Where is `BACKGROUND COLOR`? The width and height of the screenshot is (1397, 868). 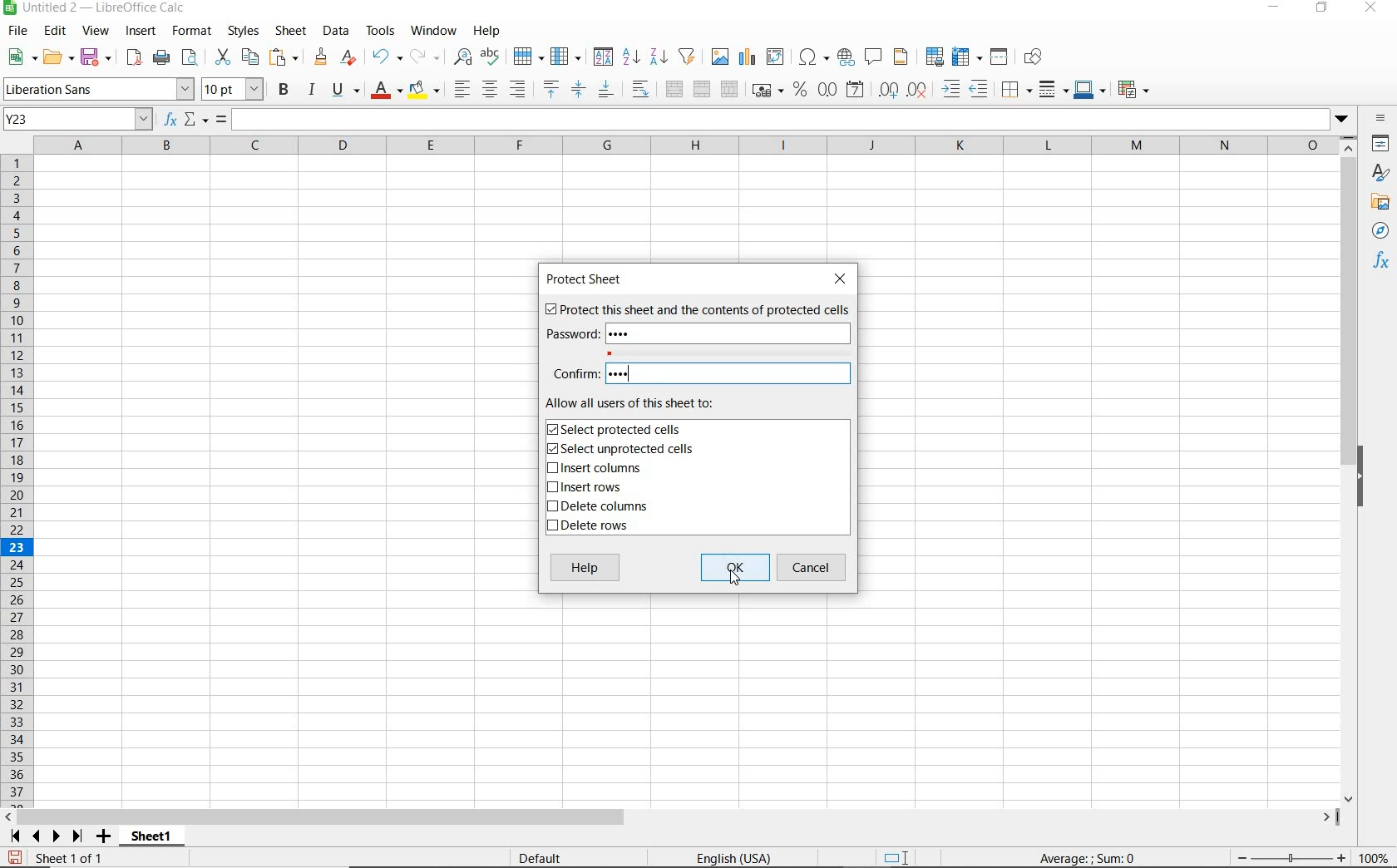 BACKGROUND COLOR is located at coordinates (424, 89).